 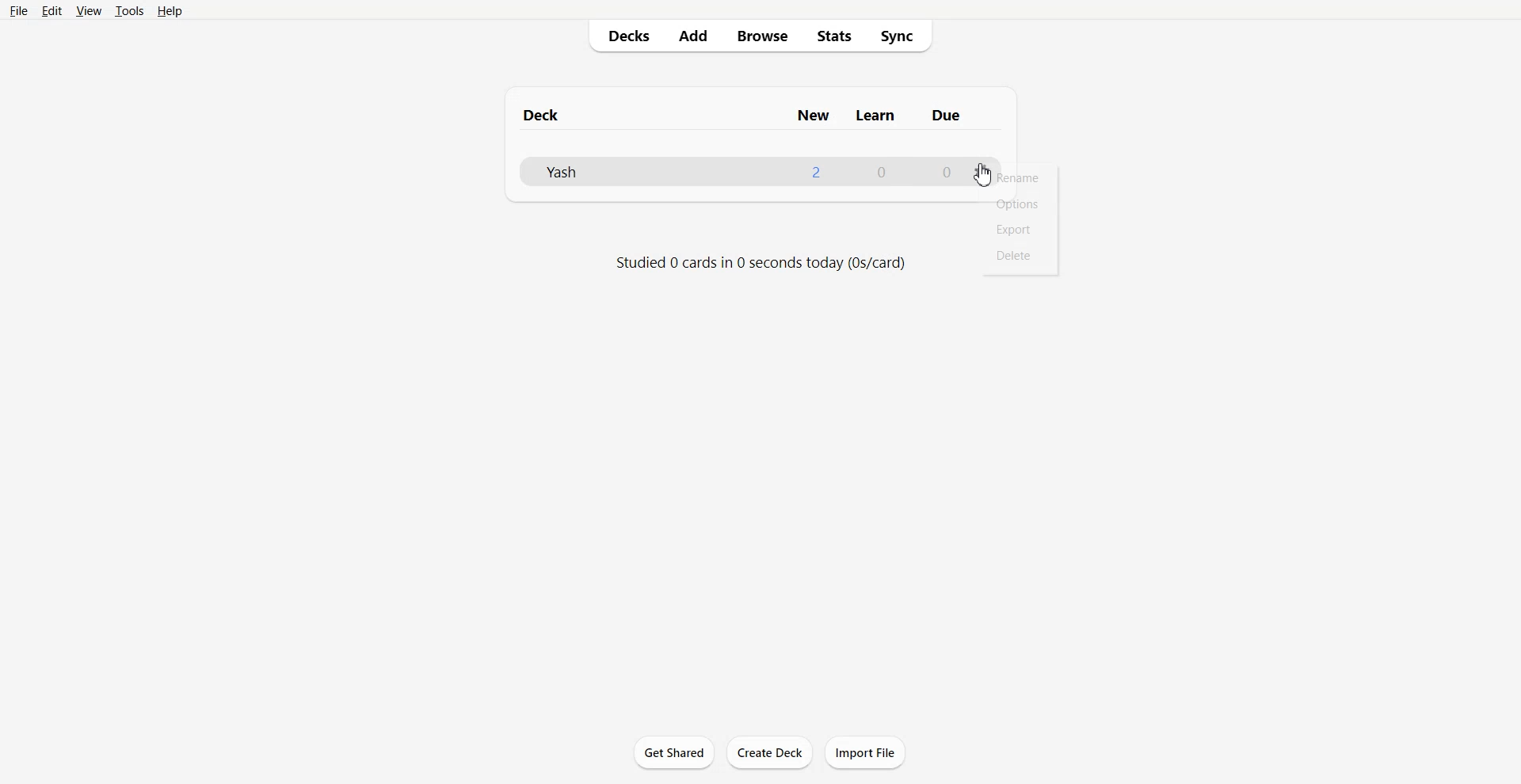 I want to click on rename, so click(x=1023, y=179).